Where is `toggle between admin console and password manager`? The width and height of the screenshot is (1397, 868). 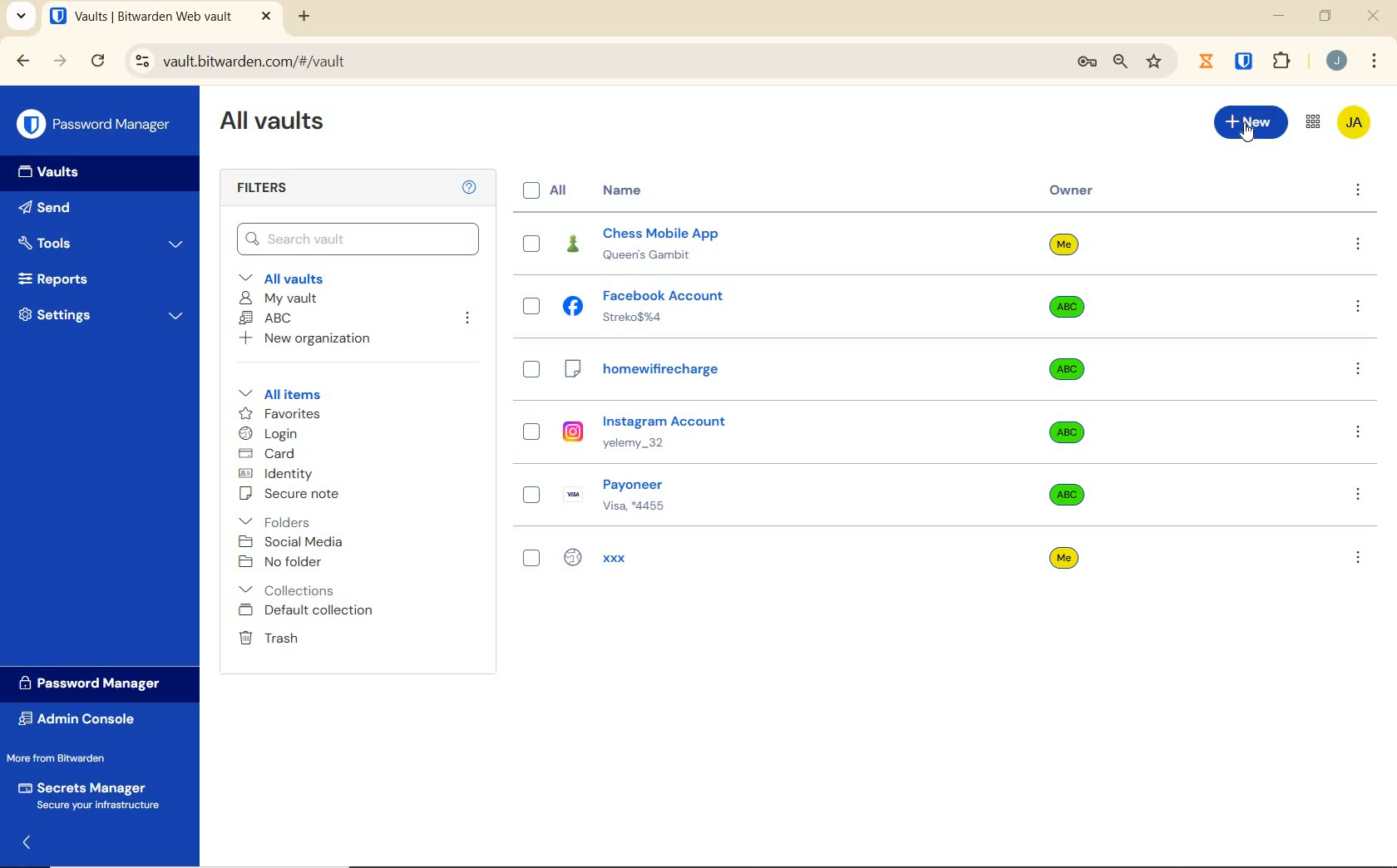 toggle between admin console and password manager is located at coordinates (1312, 121).